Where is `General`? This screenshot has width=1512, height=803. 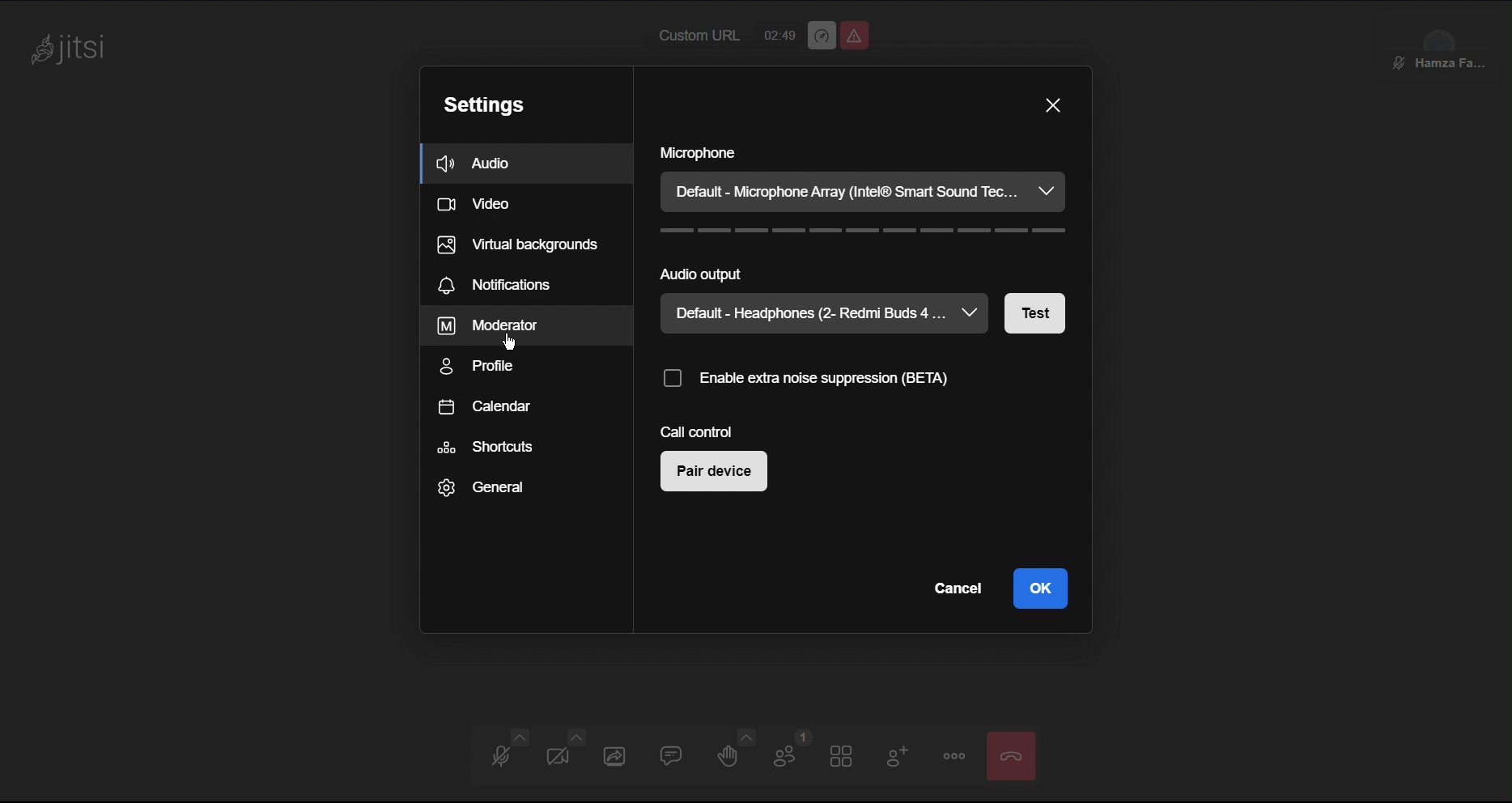
General is located at coordinates (484, 486).